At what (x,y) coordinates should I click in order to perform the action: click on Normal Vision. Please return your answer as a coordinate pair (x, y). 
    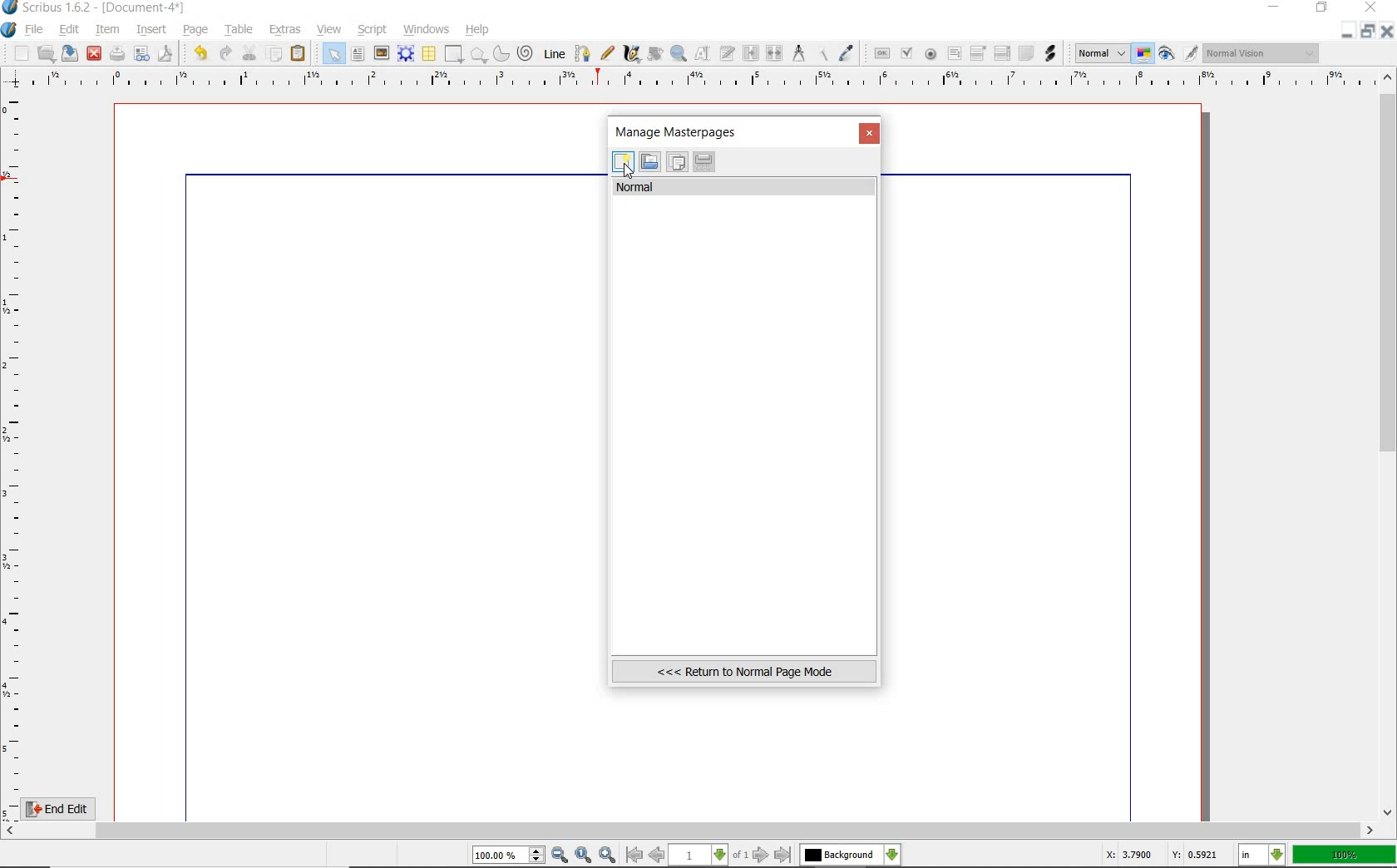
    Looking at the image, I should click on (1262, 55).